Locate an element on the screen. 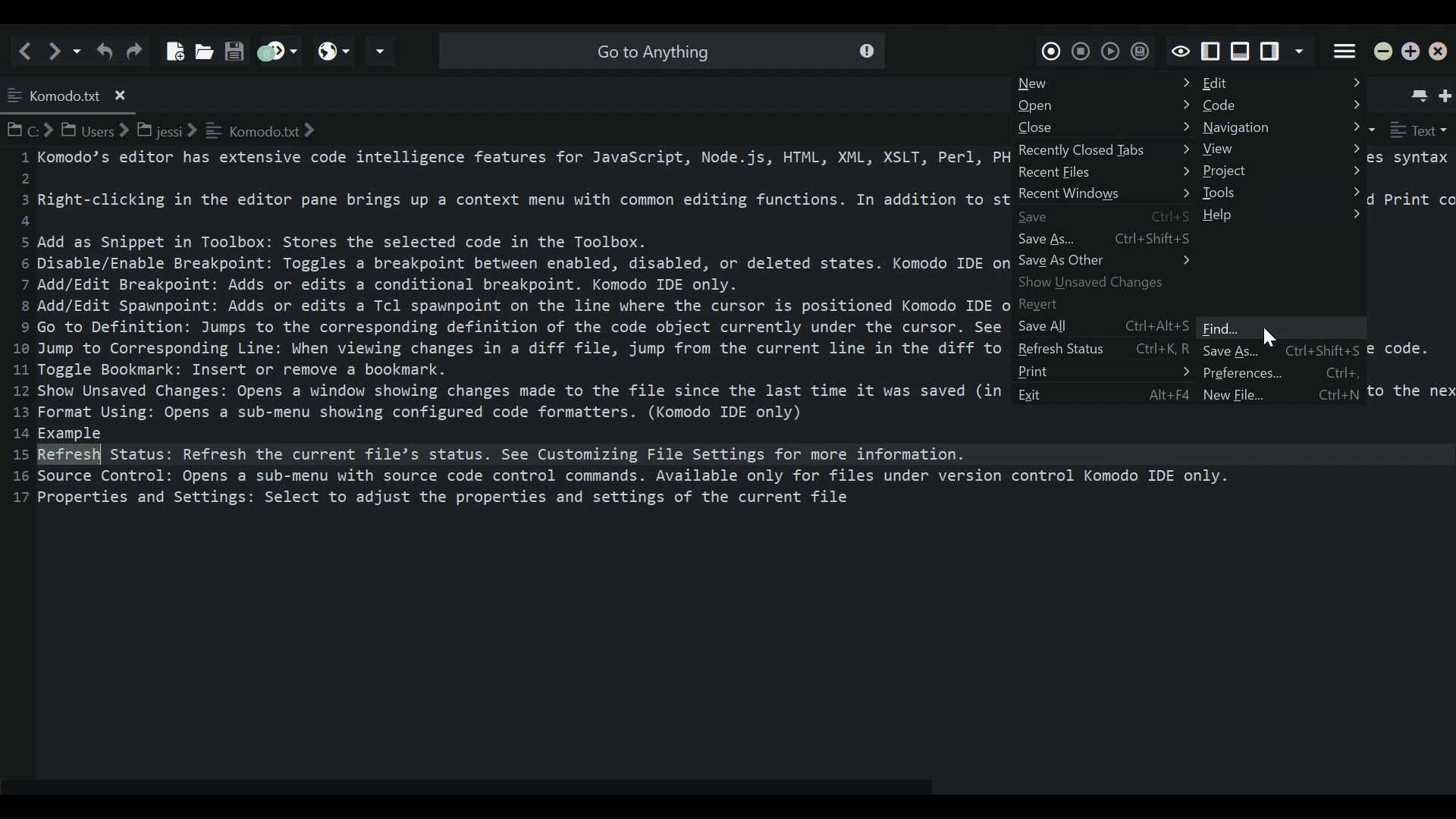 Image resolution: width=1456 pixels, height=819 pixels. Recent Windows is located at coordinates (1105, 194).